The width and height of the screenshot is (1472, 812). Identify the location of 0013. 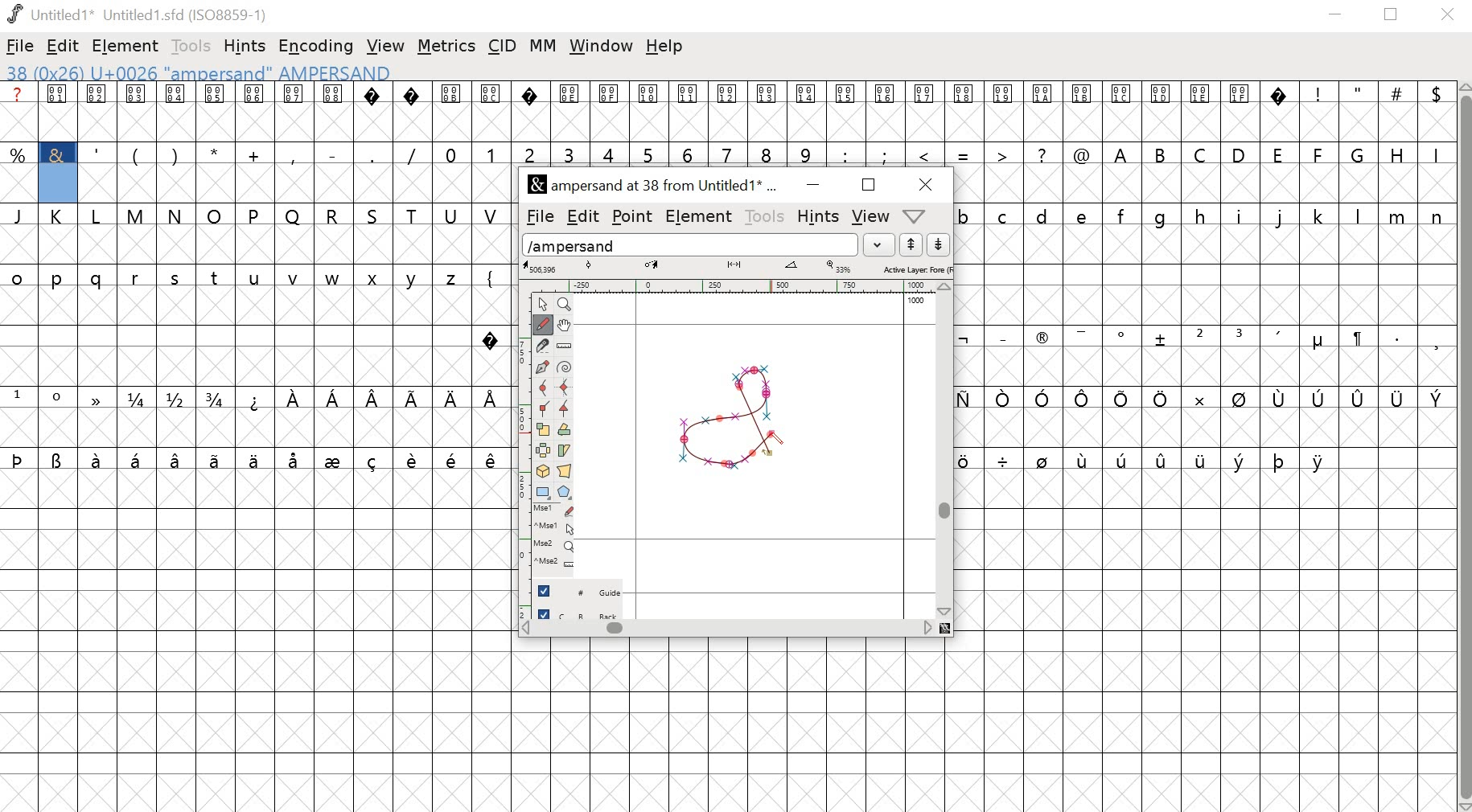
(769, 112).